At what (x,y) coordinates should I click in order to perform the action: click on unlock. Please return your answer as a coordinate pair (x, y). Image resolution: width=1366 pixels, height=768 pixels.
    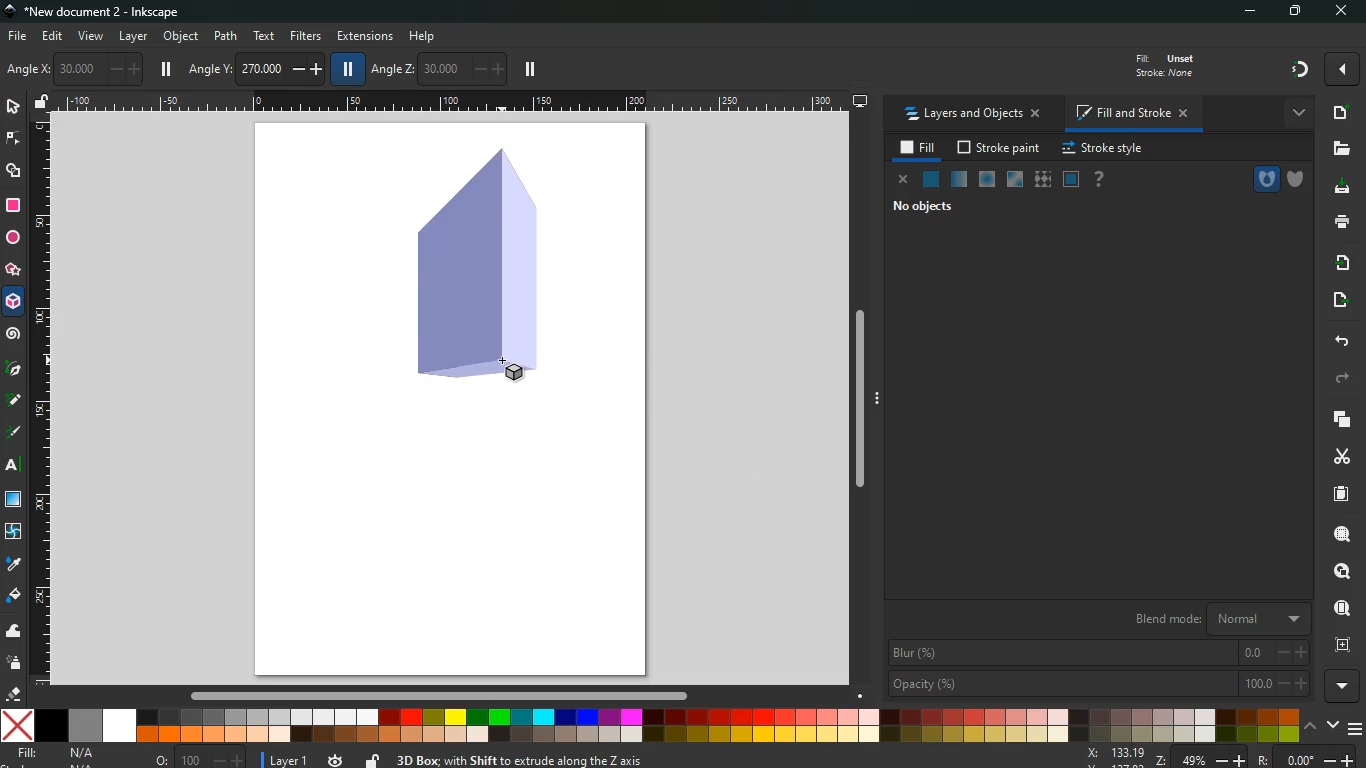
    Looking at the image, I should click on (372, 760).